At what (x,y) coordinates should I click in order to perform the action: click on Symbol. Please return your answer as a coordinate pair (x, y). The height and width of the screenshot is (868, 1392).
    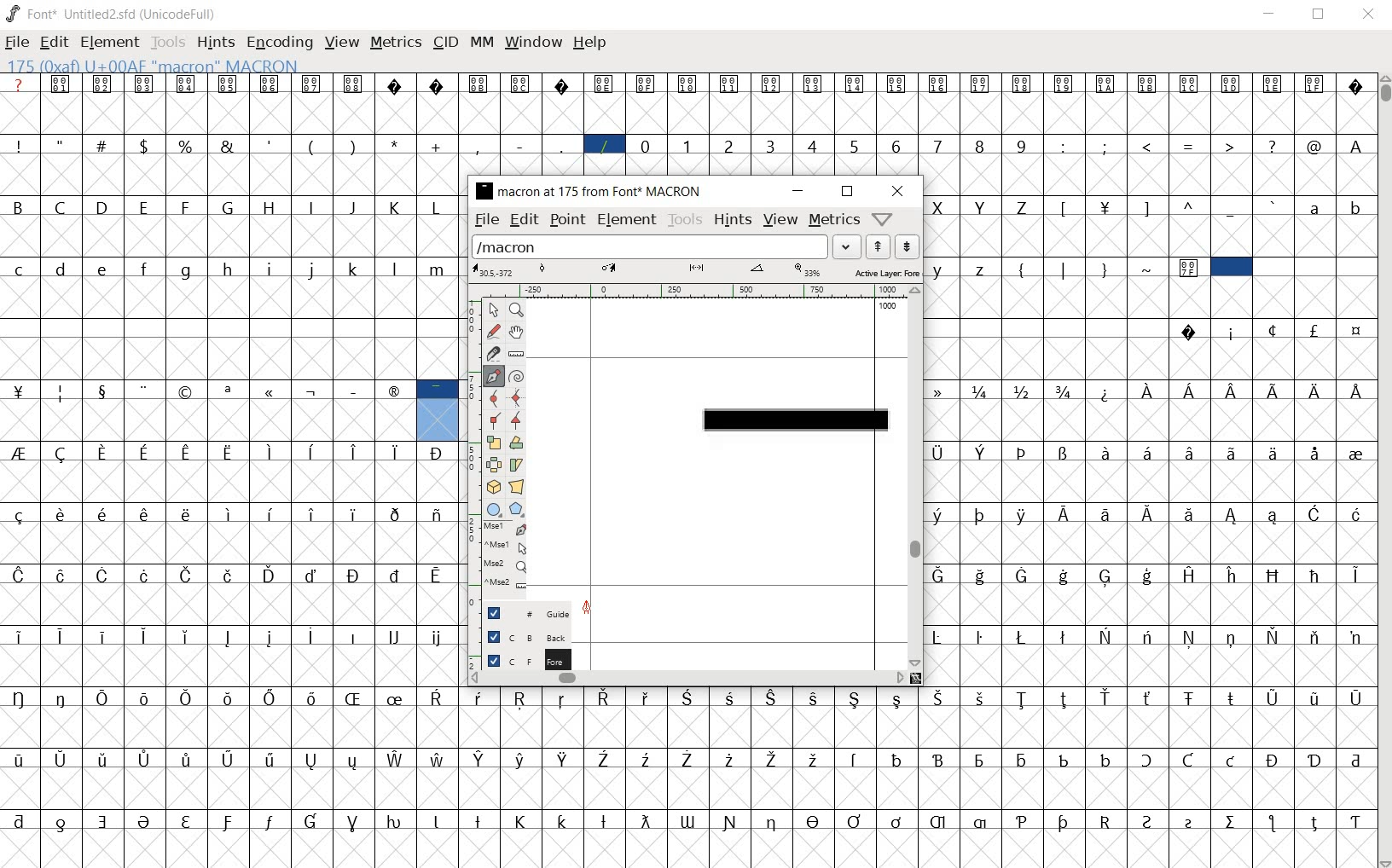
    Looking at the image, I should click on (190, 820).